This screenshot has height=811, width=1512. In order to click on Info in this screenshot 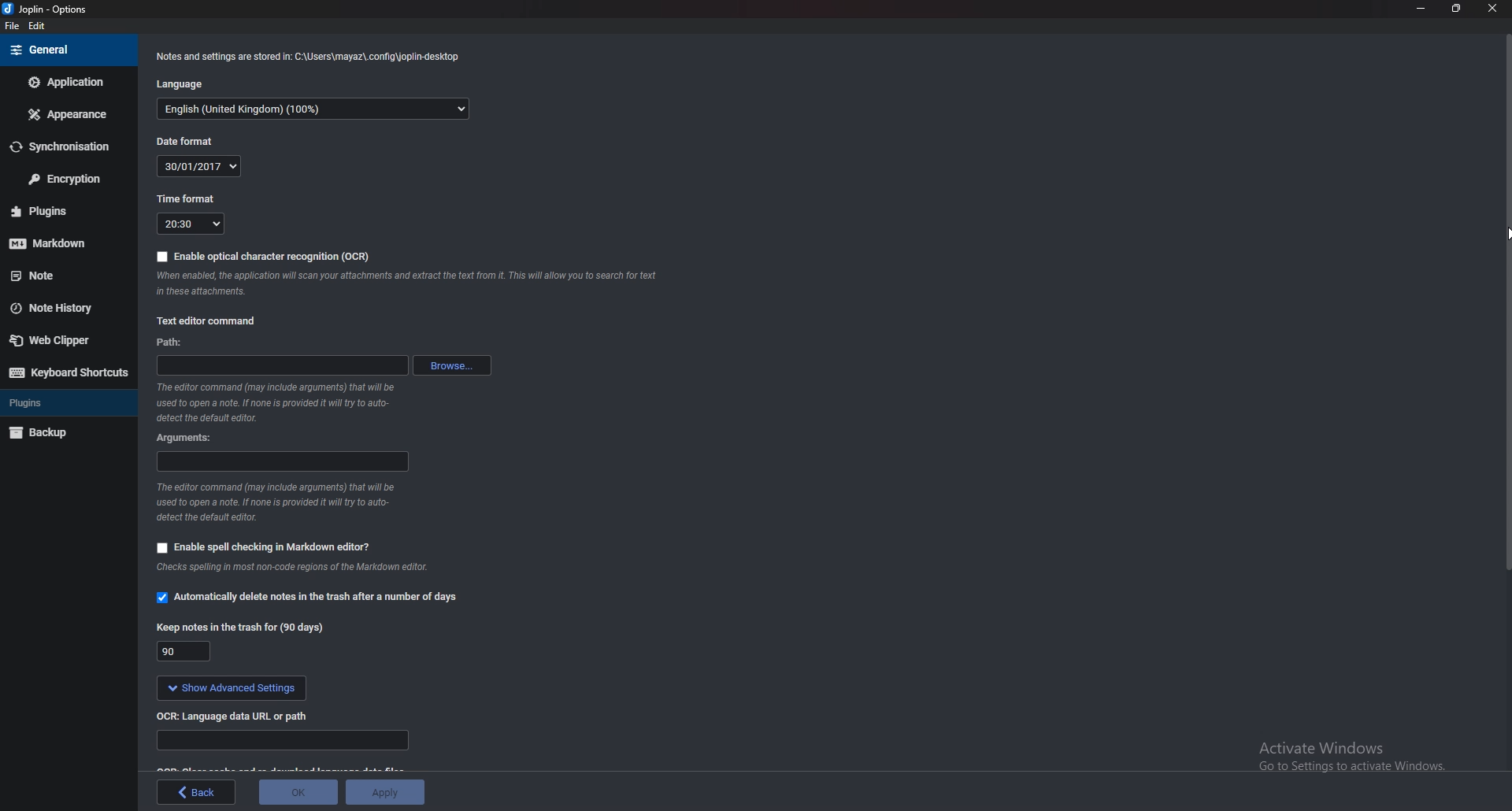, I will do `click(280, 402)`.